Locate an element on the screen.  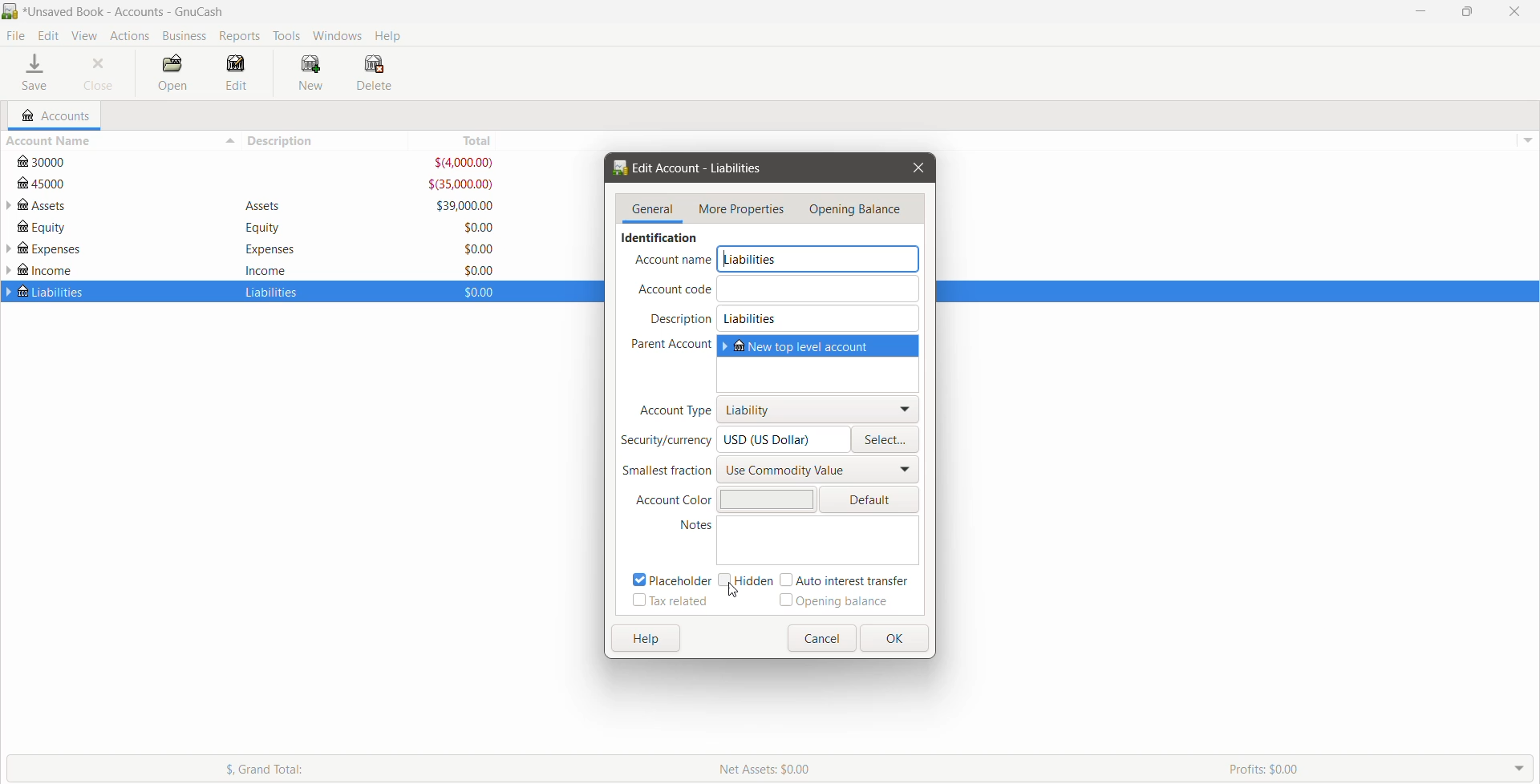
View is located at coordinates (85, 36).